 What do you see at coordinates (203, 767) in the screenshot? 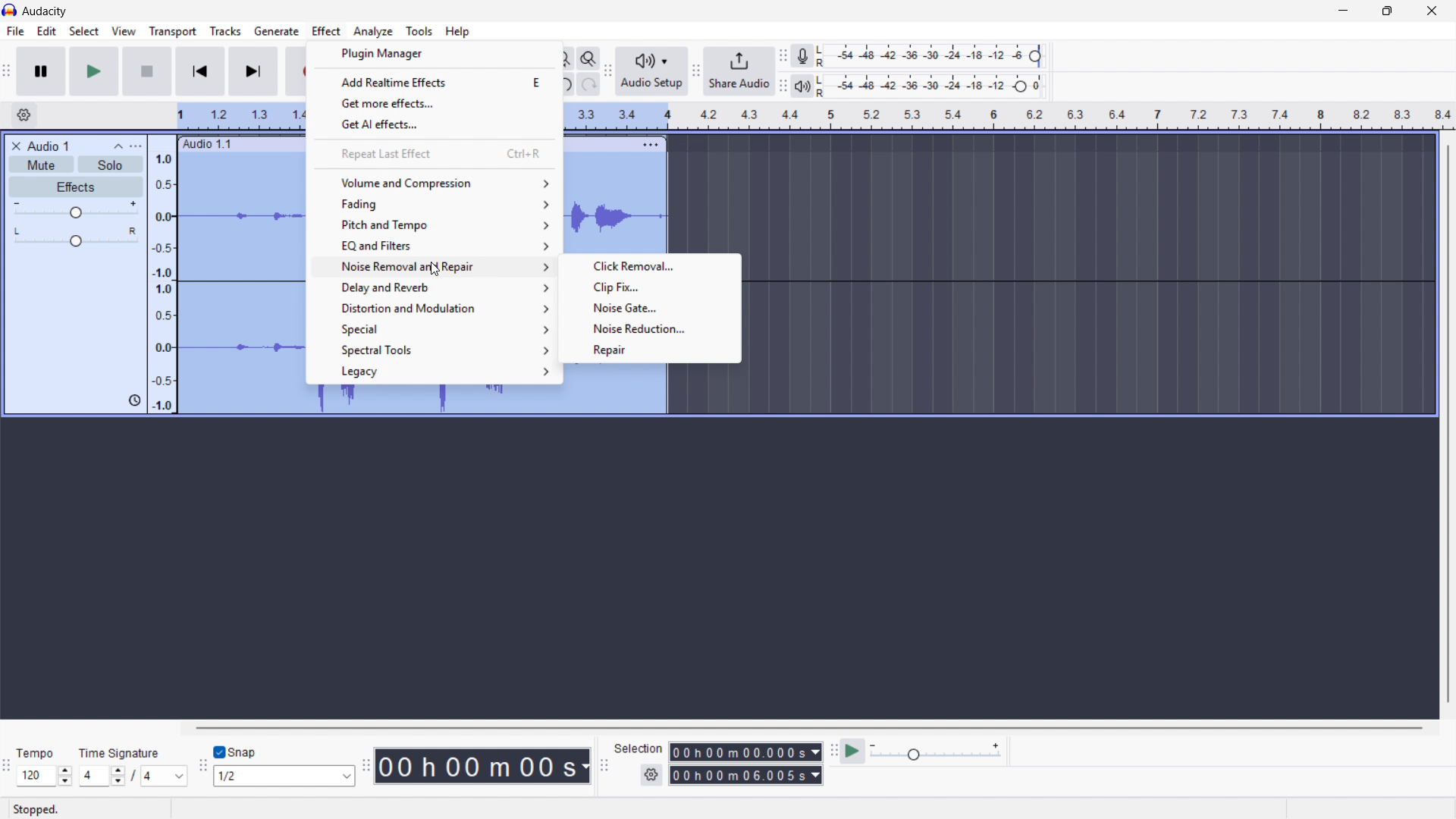
I see `Snapping toolbar` at bounding box center [203, 767].